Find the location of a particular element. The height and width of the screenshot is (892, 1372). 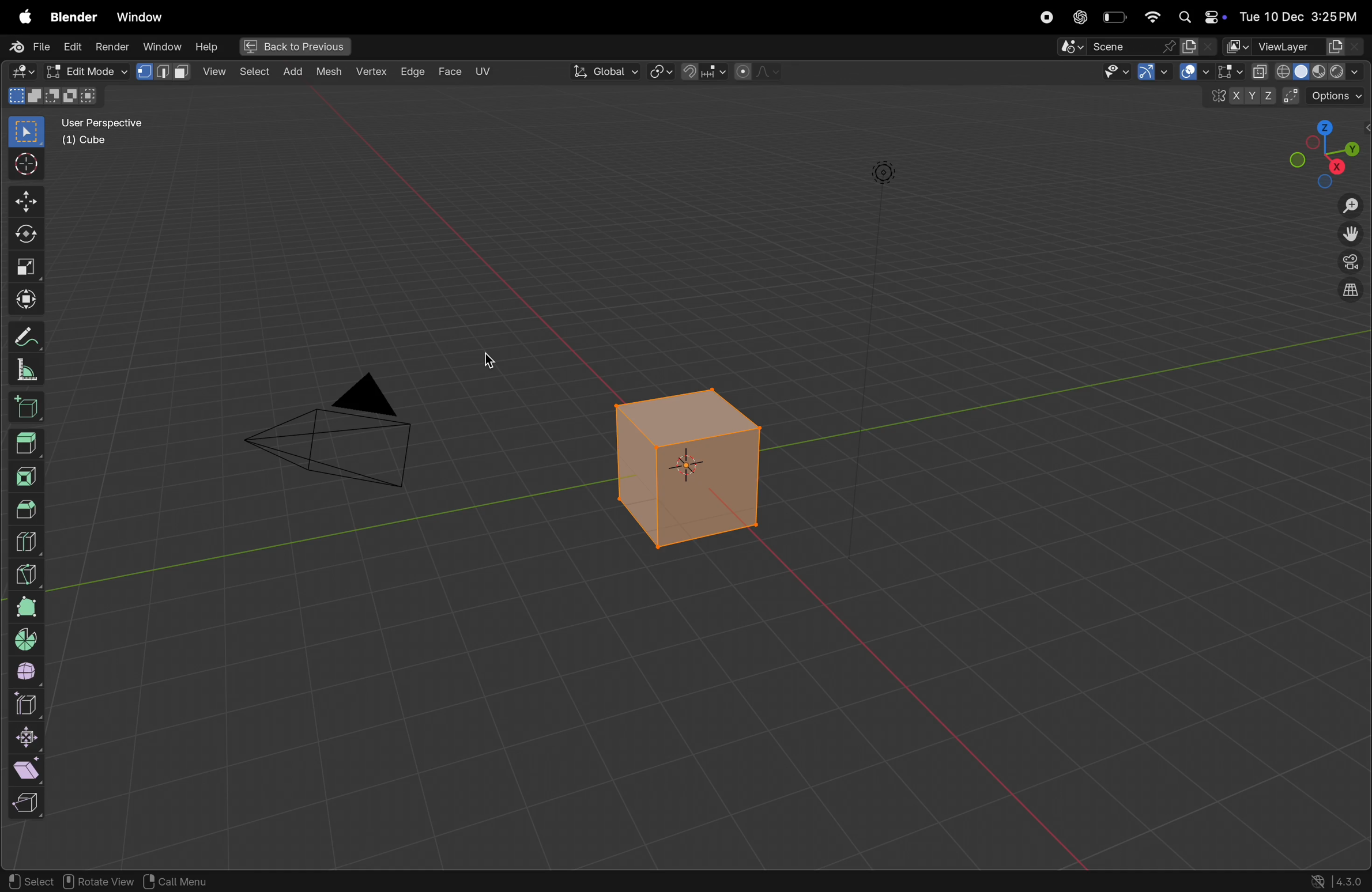

transform pviot is located at coordinates (661, 73).